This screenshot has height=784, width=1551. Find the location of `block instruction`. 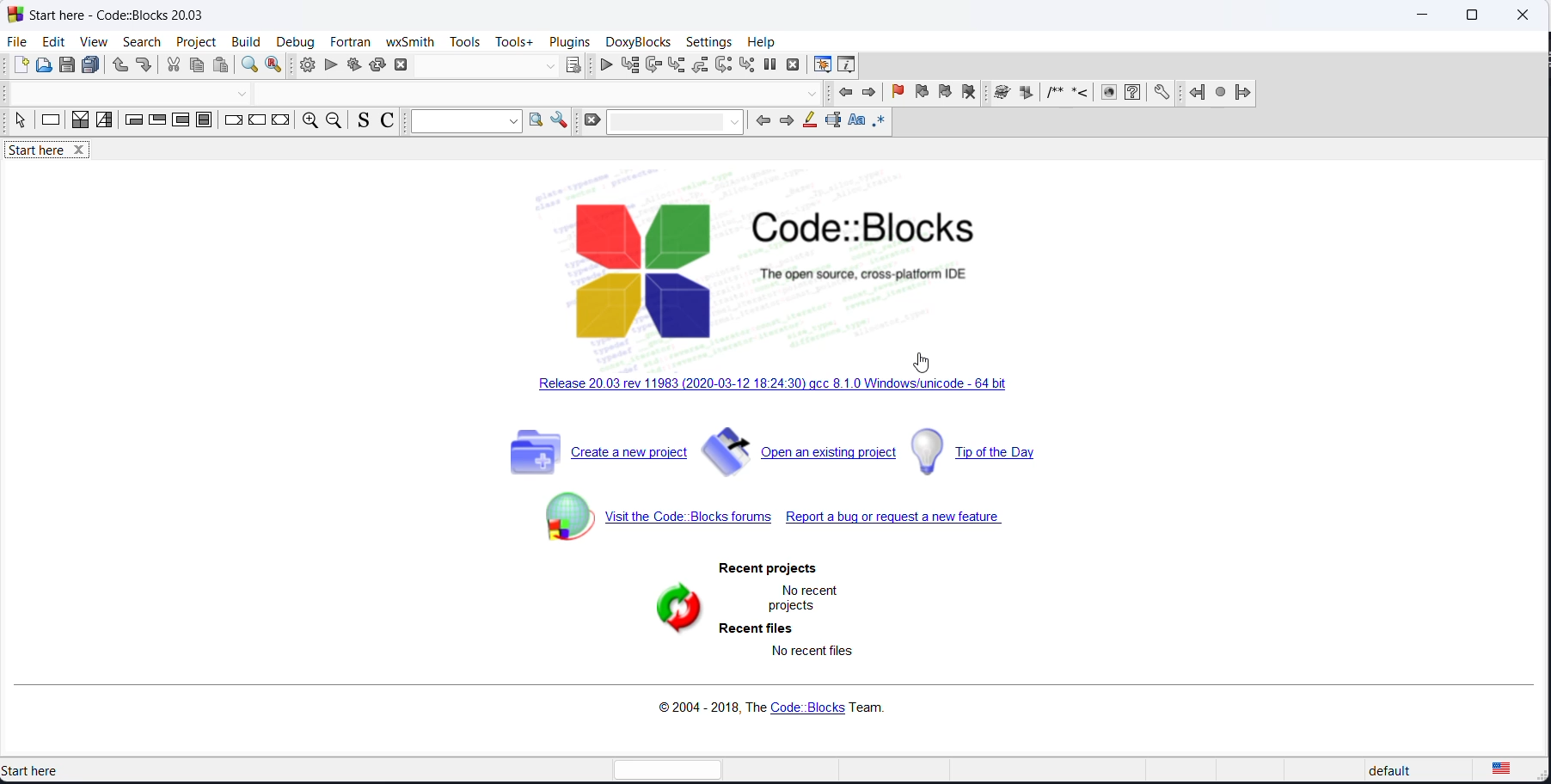

block instruction is located at coordinates (203, 121).